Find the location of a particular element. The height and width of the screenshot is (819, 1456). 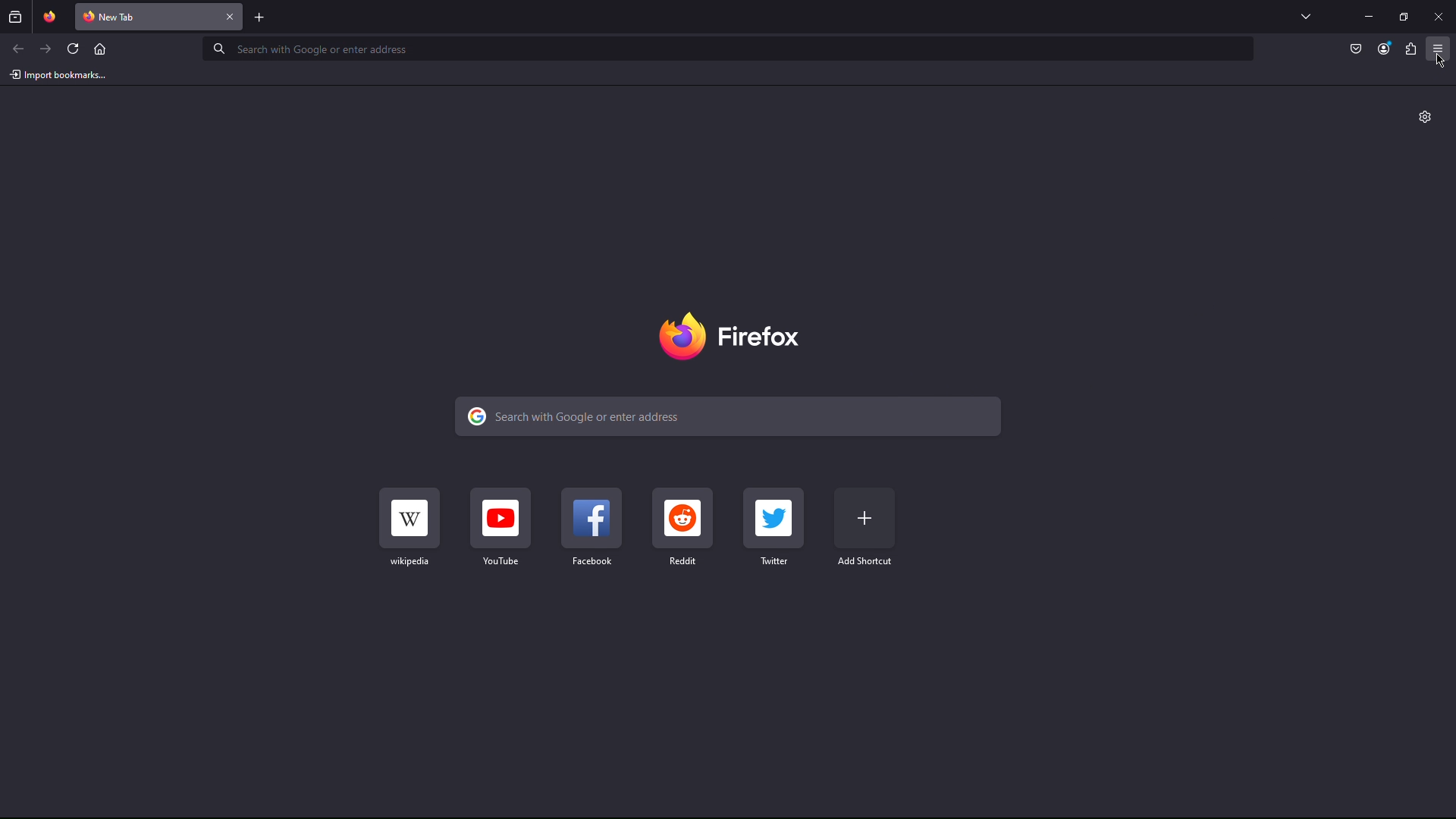

Account is located at coordinates (1384, 50).